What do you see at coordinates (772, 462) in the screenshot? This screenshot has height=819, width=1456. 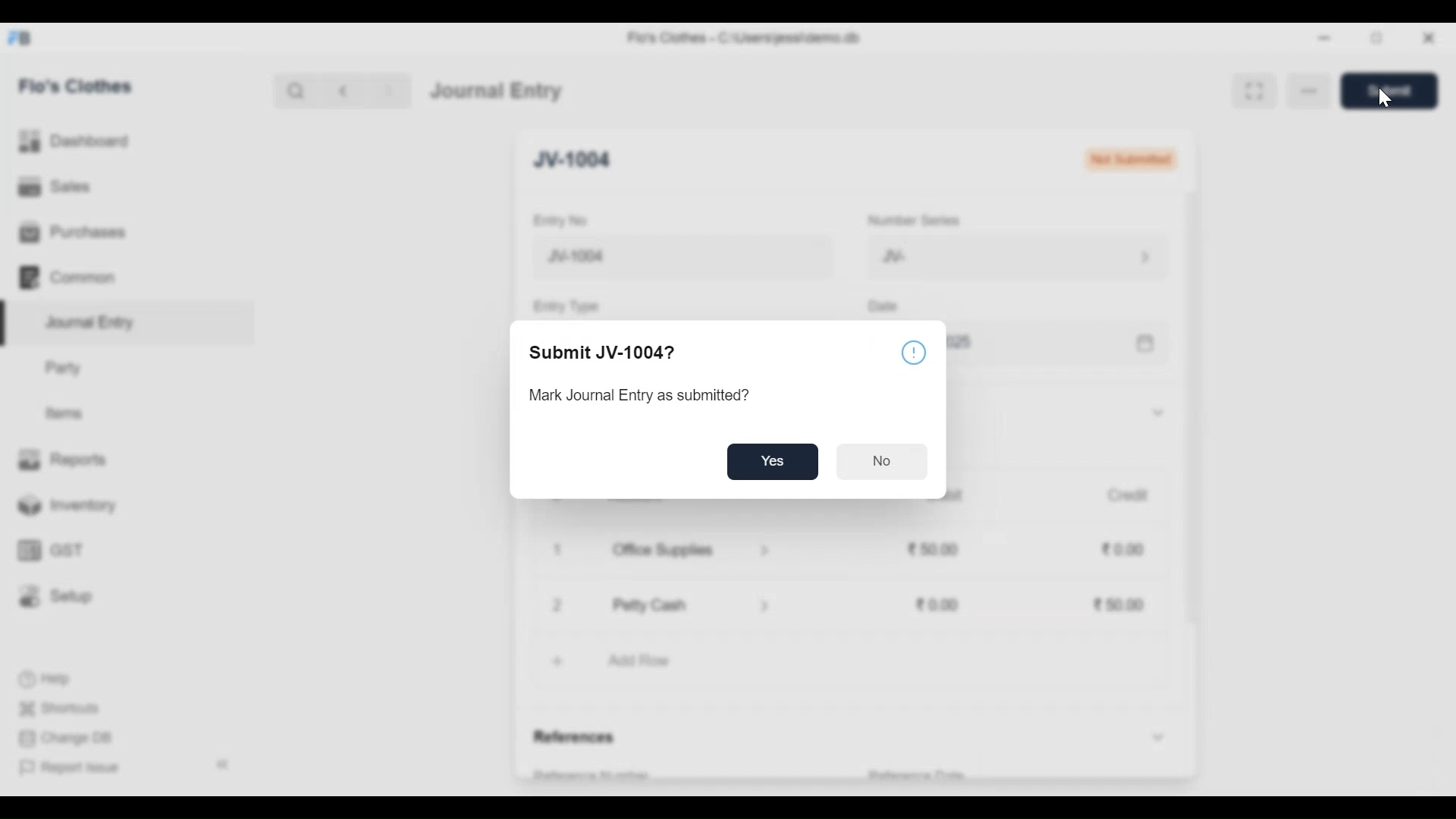 I see `Yes` at bounding box center [772, 462].